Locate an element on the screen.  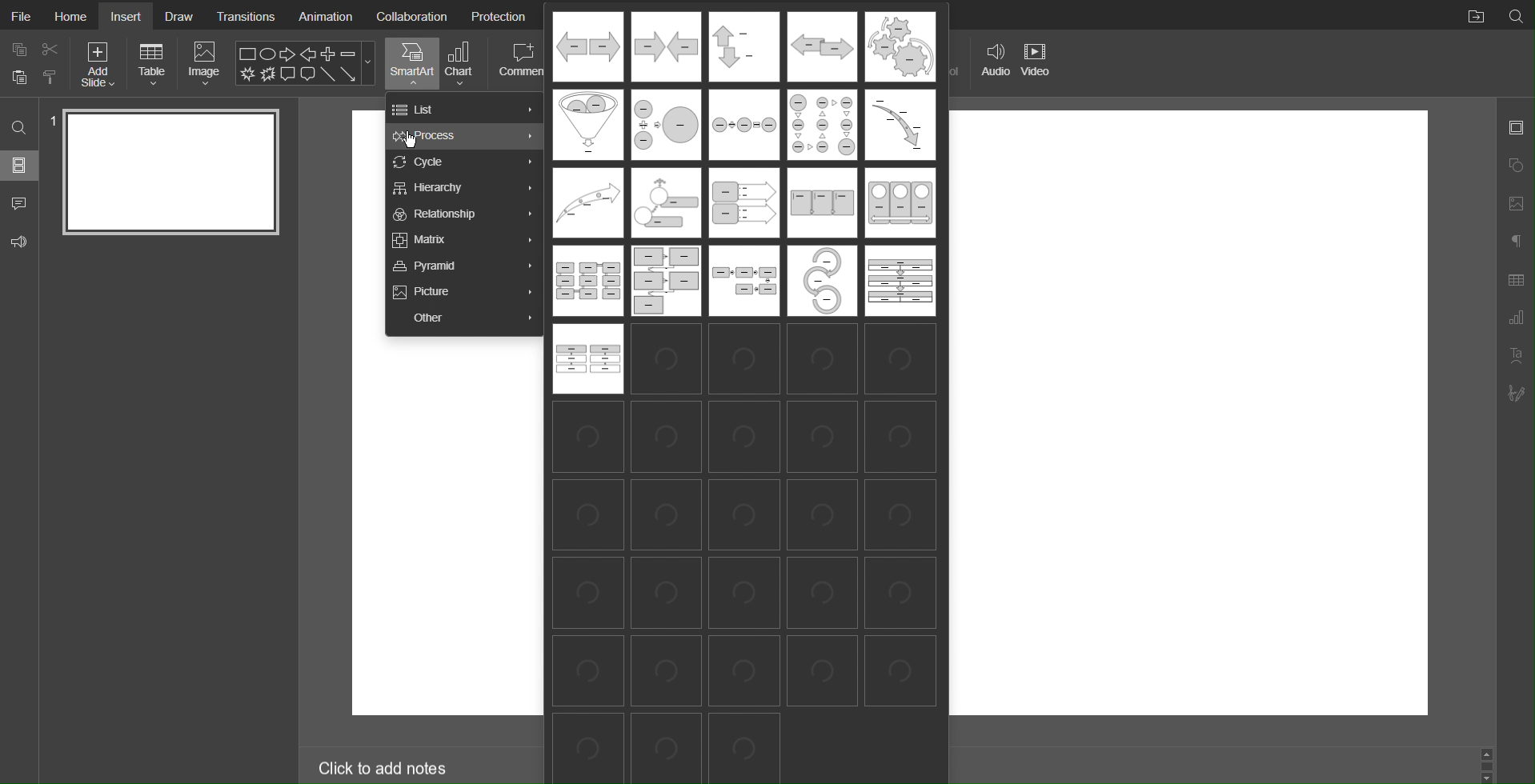
Process Template 6 is located at coordinates (587, 125).